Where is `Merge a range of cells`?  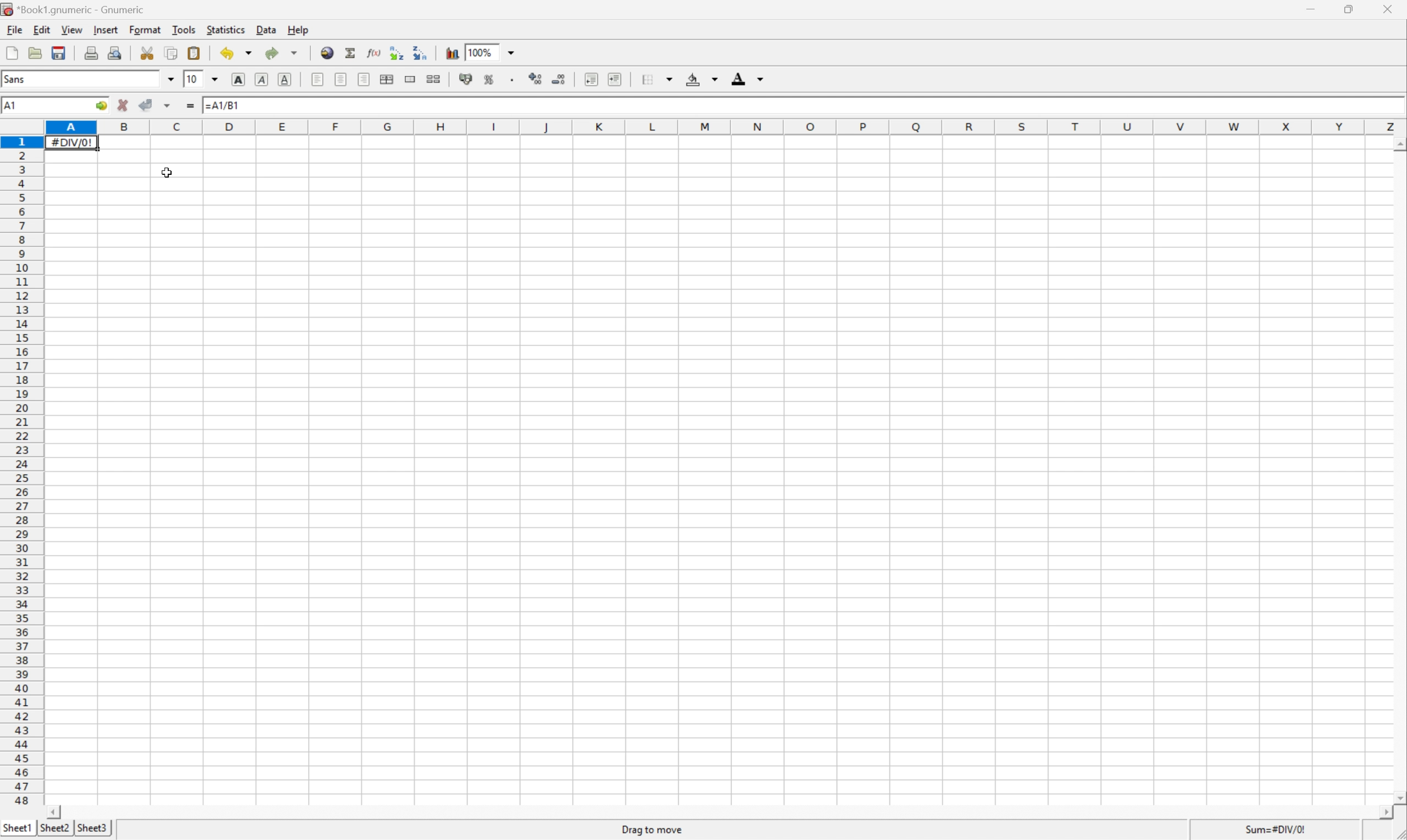 Merge a range of cells is located at coordinates (412, 79).